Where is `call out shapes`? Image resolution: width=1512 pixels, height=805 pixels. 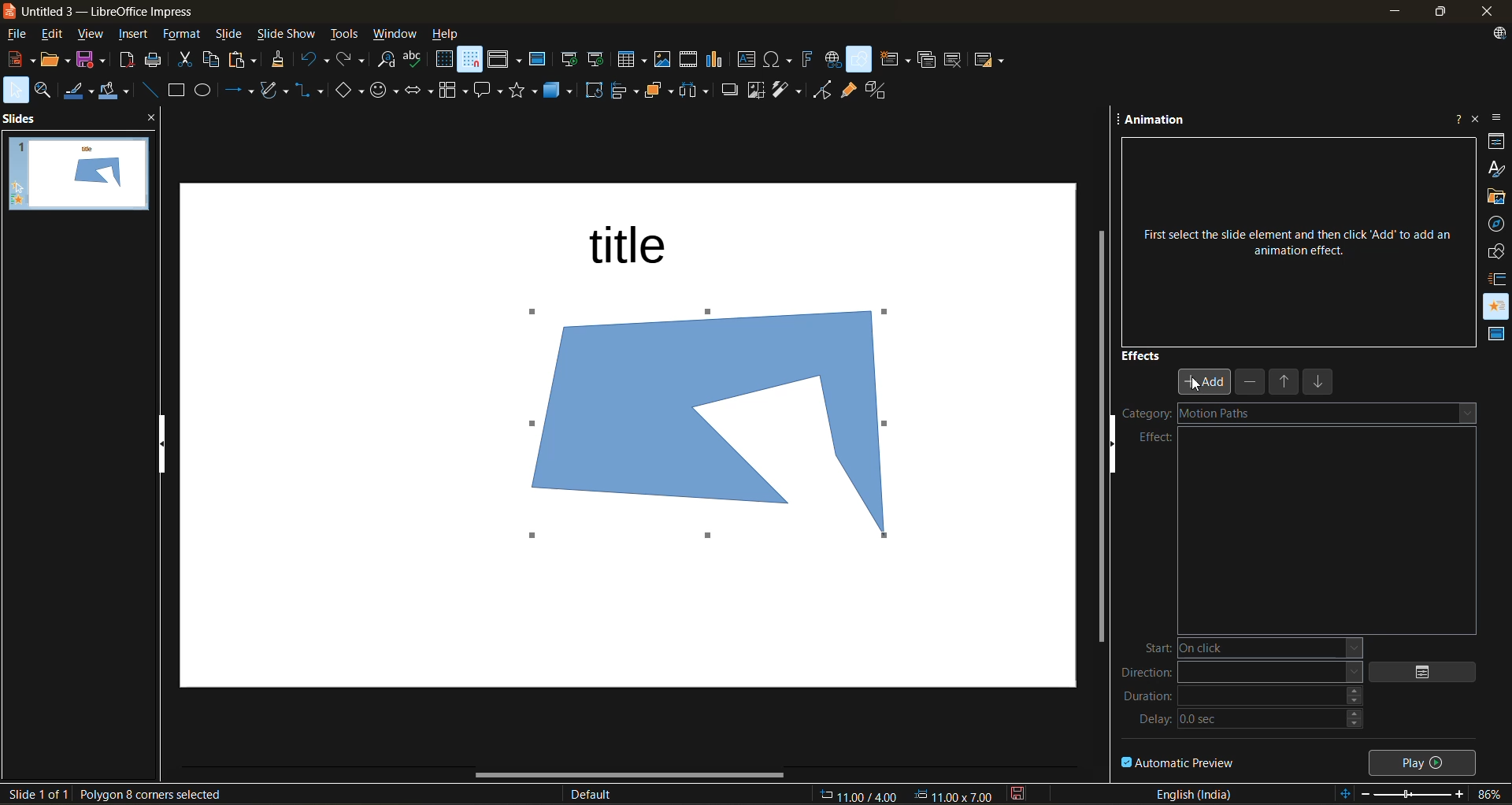
call out shapes is located at coordinates (491, 91).